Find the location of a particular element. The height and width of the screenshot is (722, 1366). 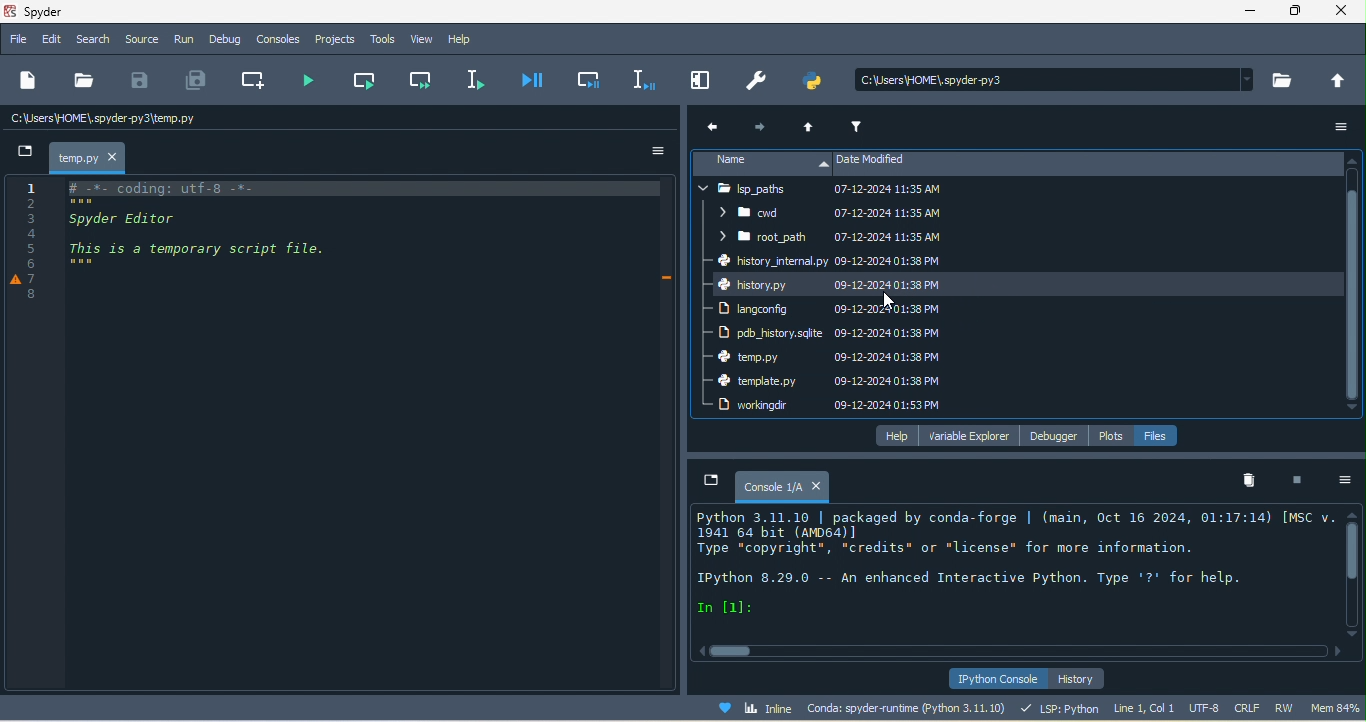

temp.py is located at coordinates (758, 359).